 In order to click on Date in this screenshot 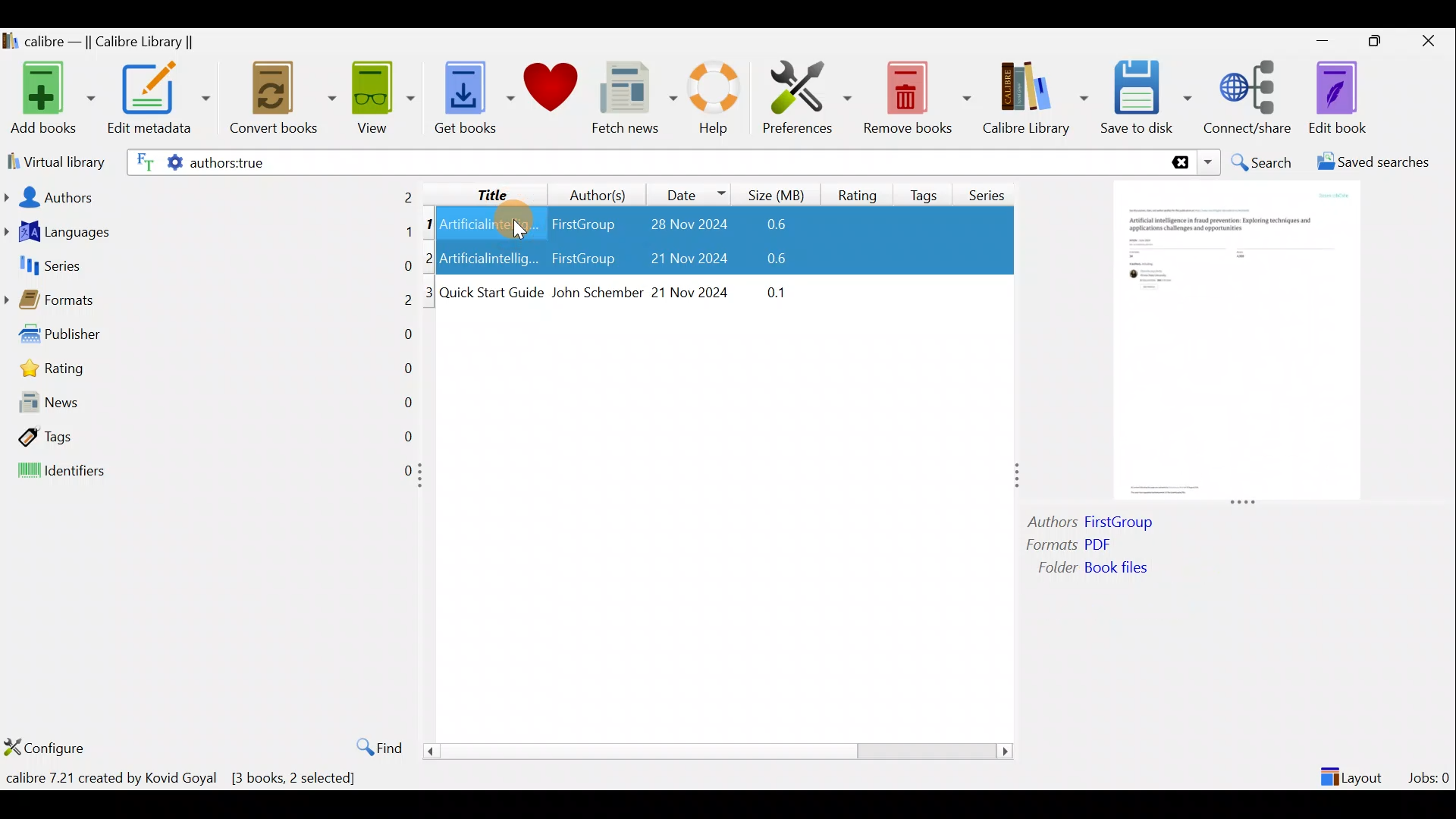, I will do `click(689, 194)`.